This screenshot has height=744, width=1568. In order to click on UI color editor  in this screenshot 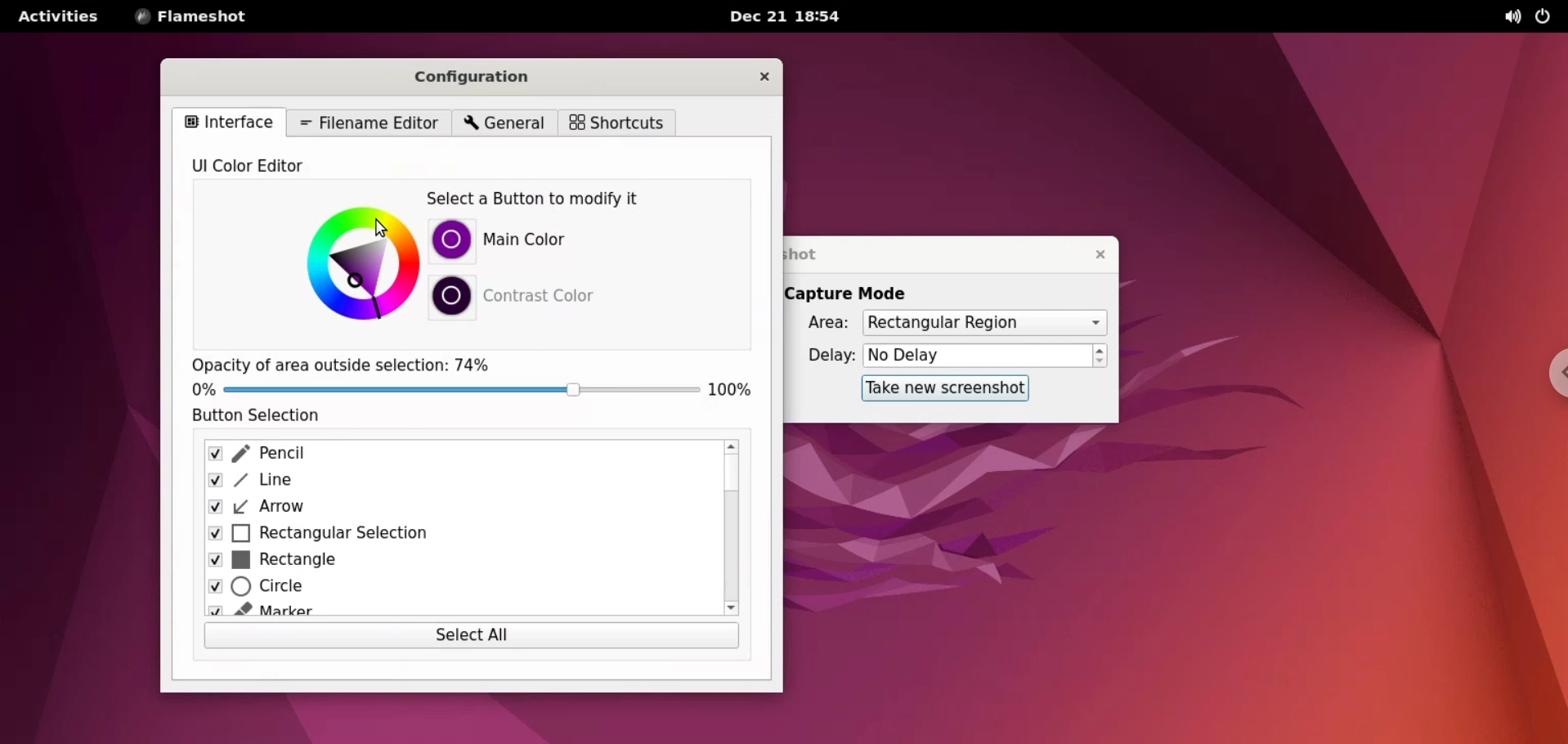, I will do `click(257, 166)`.